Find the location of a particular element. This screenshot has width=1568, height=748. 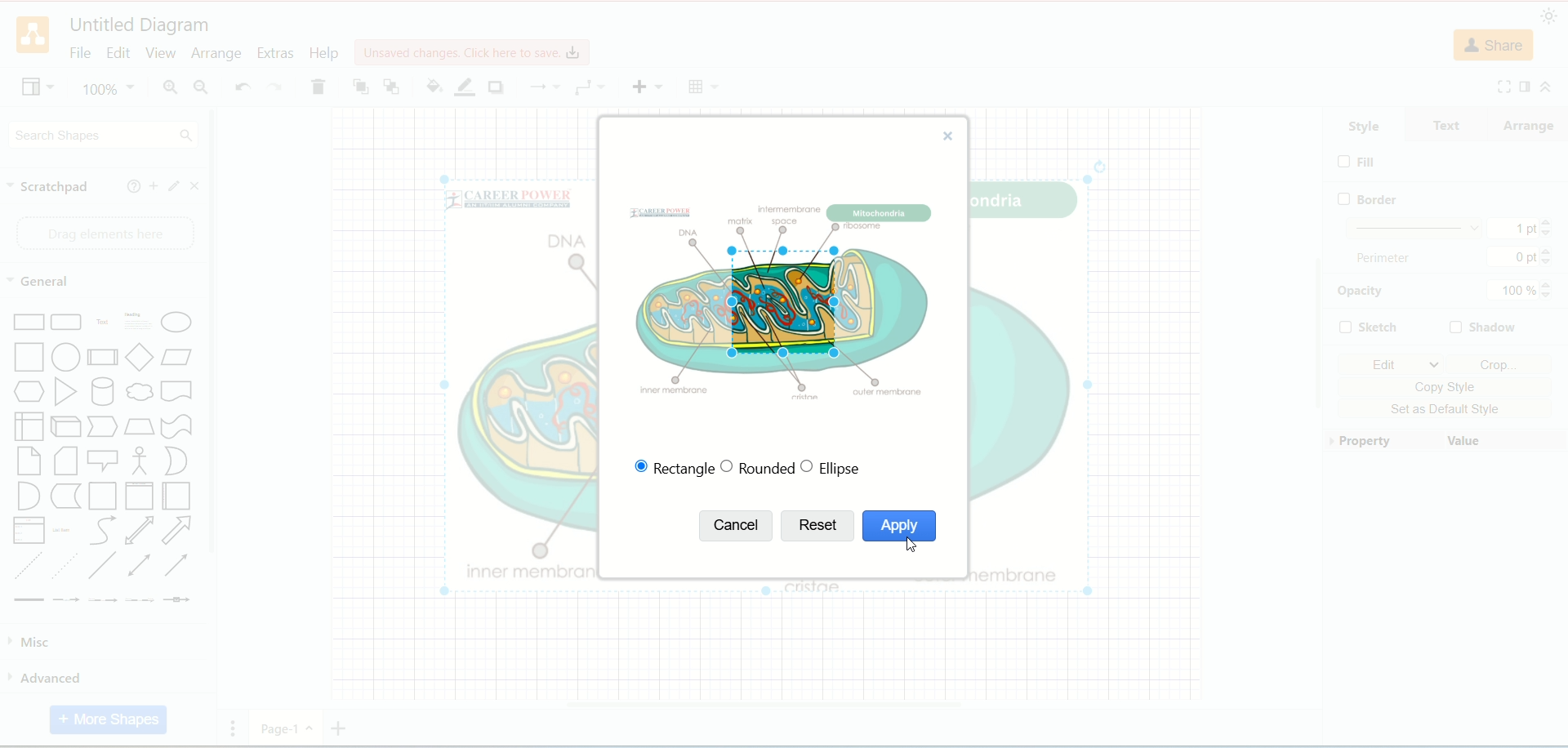

view is located at coordinates (158, 51).